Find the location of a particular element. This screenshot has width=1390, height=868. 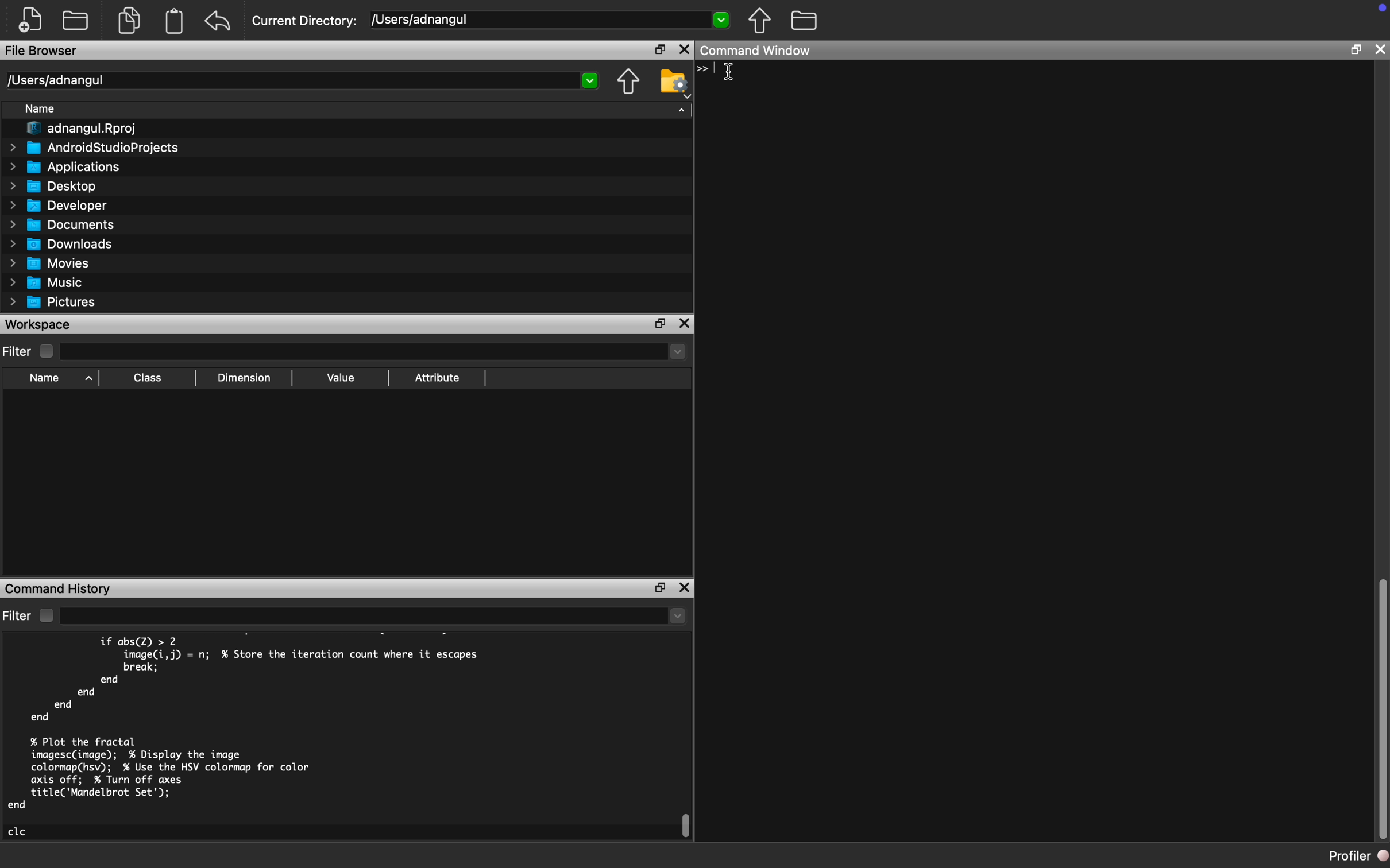

Value is located at coordinates (341, 378).